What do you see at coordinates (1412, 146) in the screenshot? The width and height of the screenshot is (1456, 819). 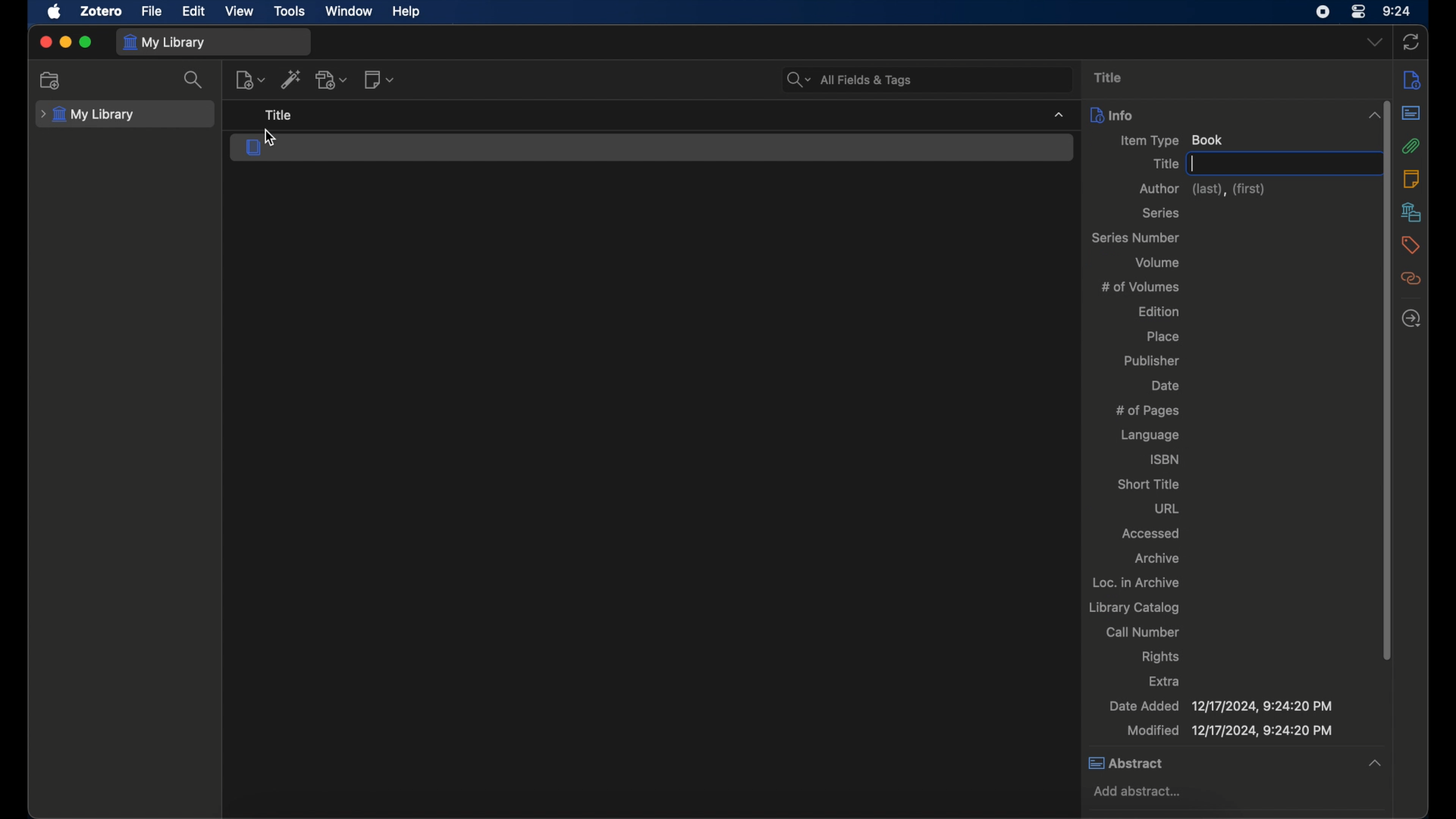 I see `attachments` at bounding box center [1412, 146].